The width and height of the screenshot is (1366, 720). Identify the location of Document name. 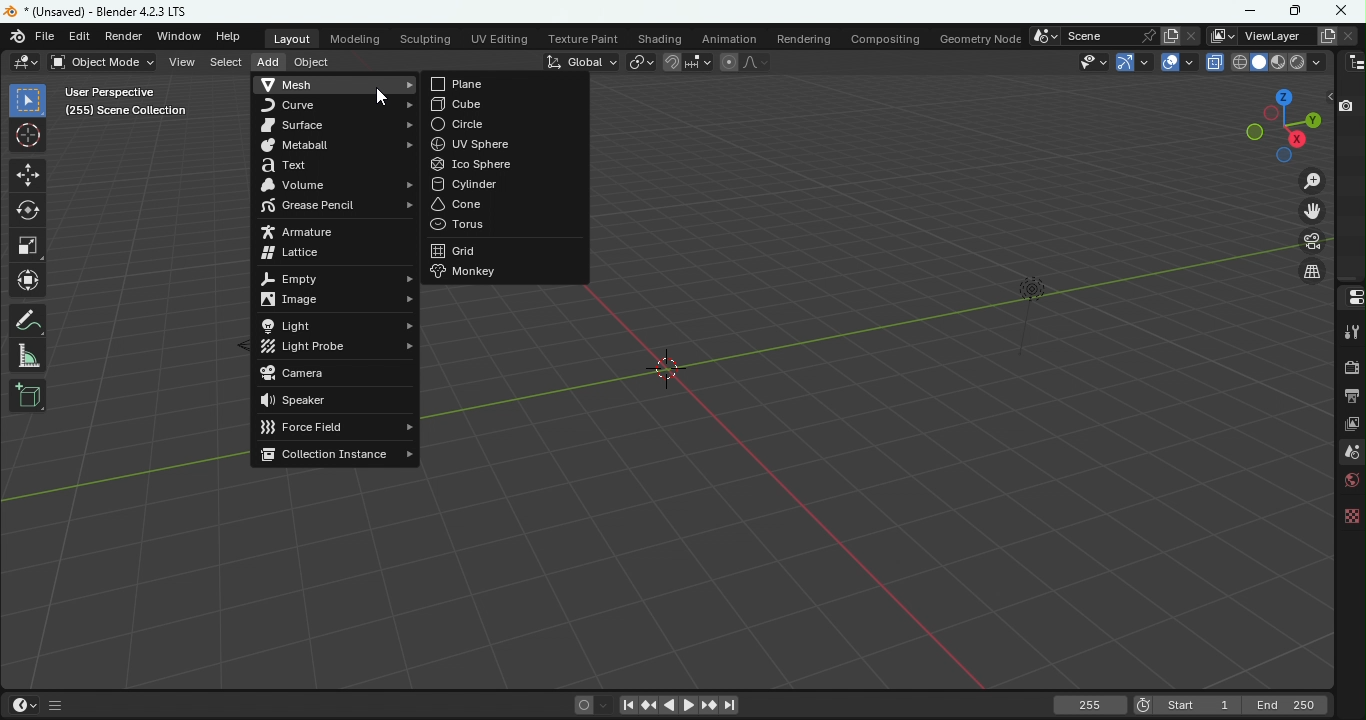
(101, 13).